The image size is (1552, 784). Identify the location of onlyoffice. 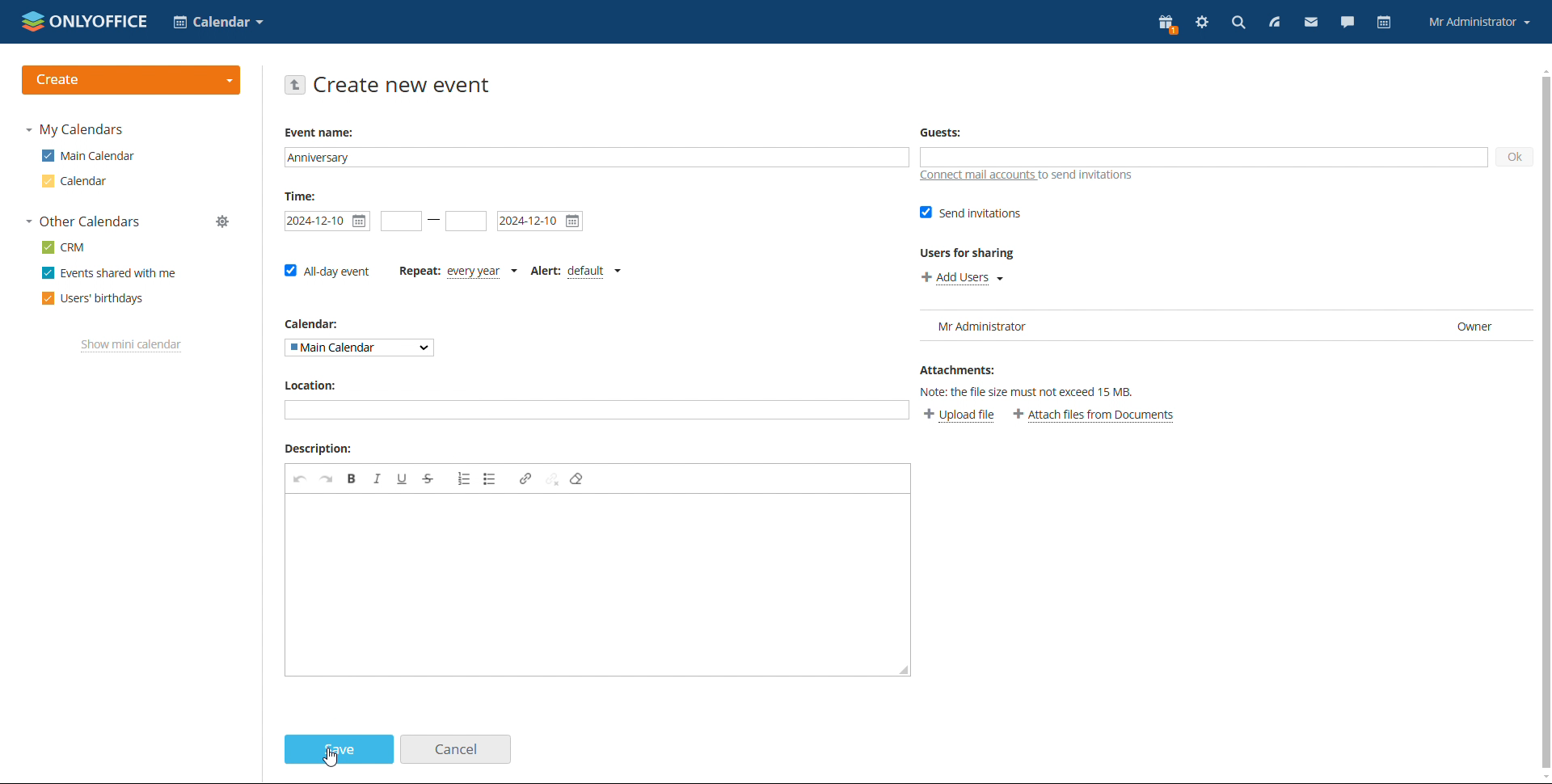
(101, 20).